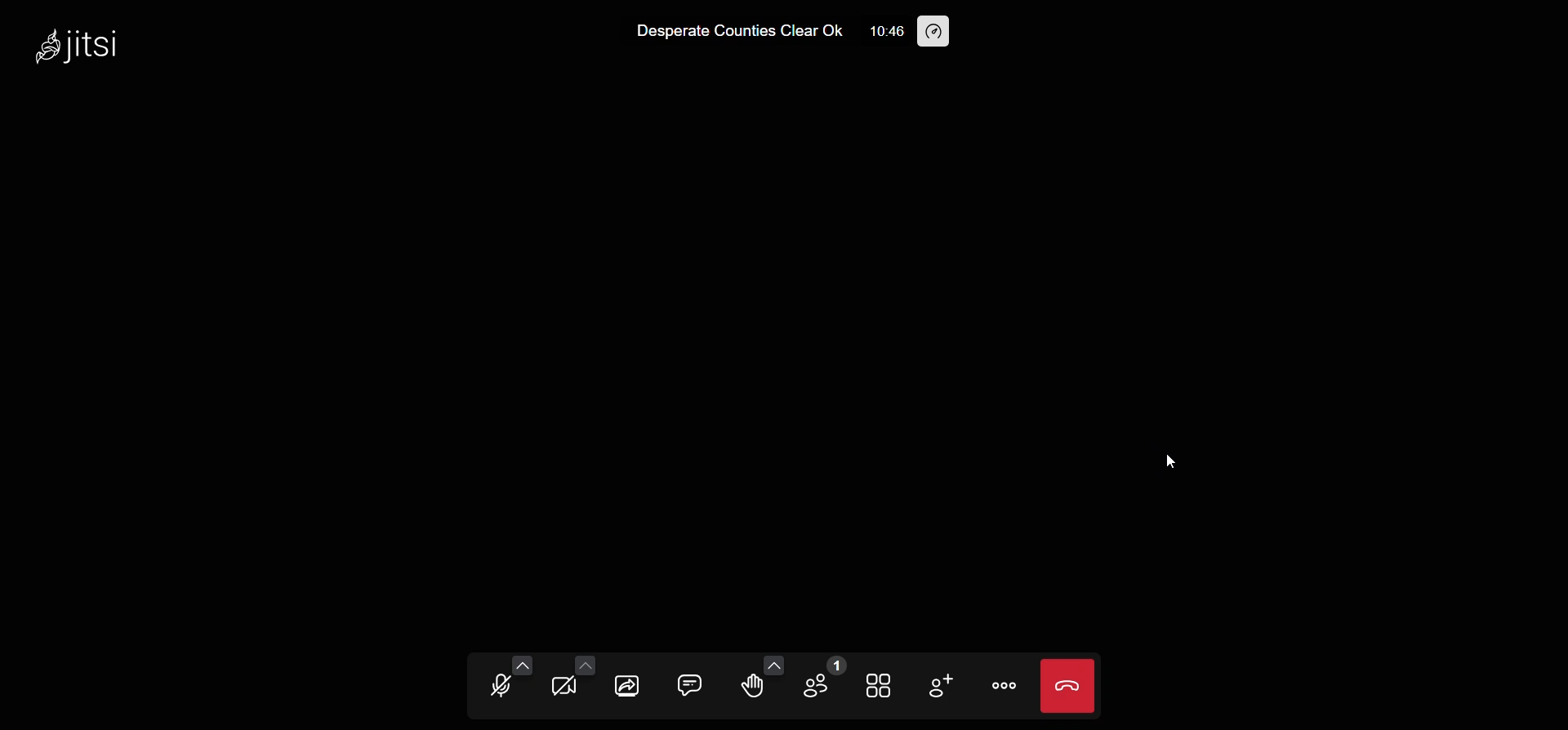  What do you see at coordinates (563, 688) in the screenshot?
I see `camera` at bounding box center [563, 688].